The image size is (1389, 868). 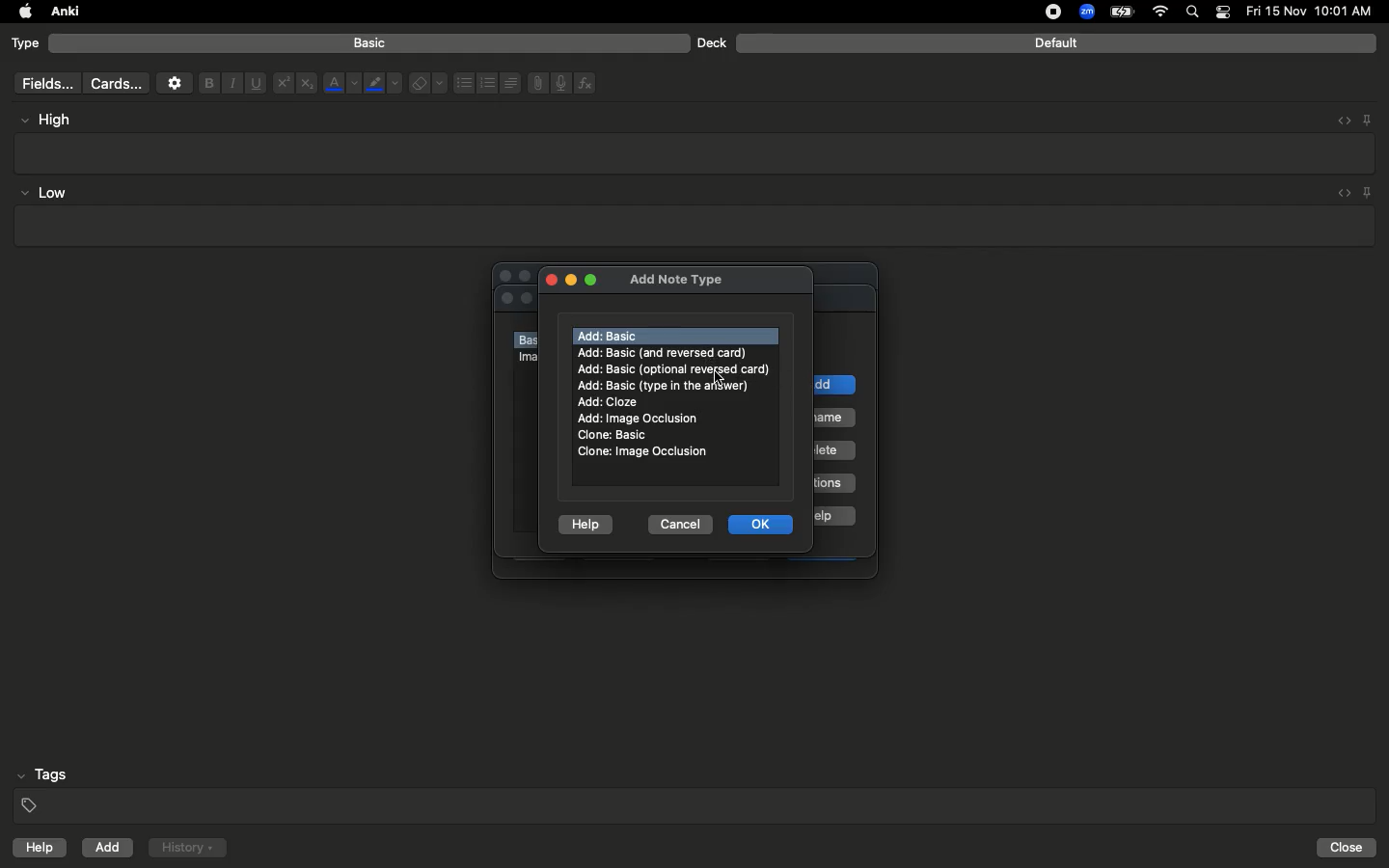 I want to click on Add close, so click(x=611, y=402).